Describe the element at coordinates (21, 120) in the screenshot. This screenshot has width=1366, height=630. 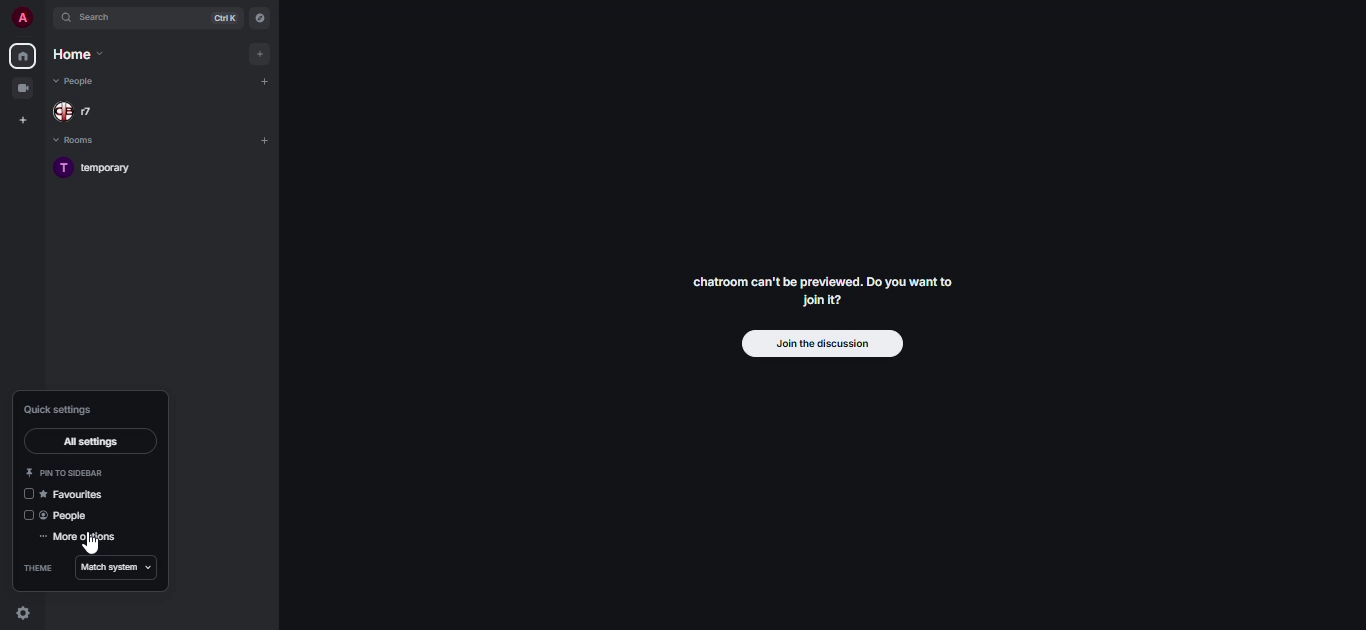
I see `create space` at that location.